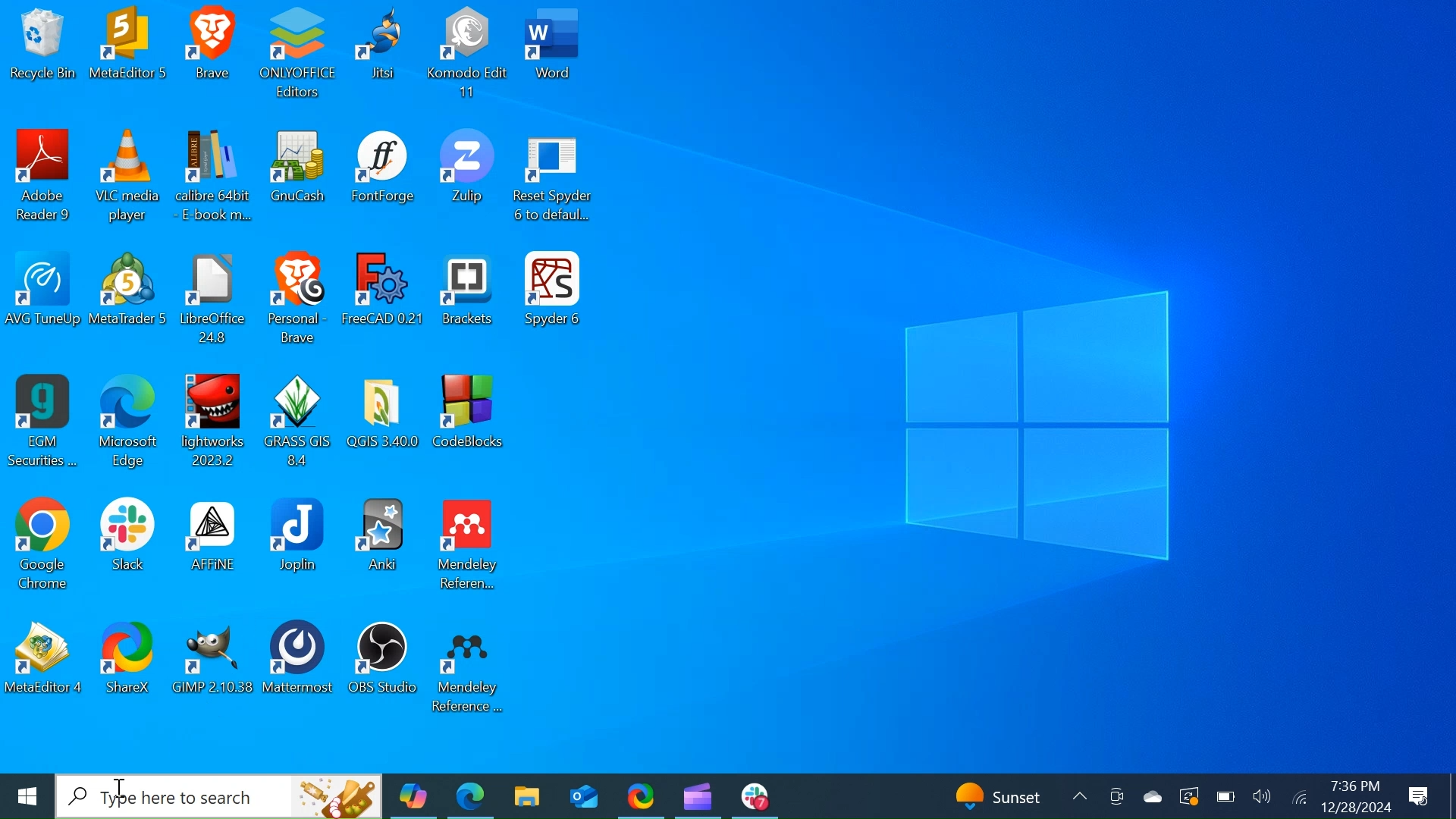 Image resolution: width=1456 pixels, height=819 pixels. What do you see at coordinates (120, 545) in the screenshot?
I see `Slack Desktop Icon` at bounding box center [120, 545].